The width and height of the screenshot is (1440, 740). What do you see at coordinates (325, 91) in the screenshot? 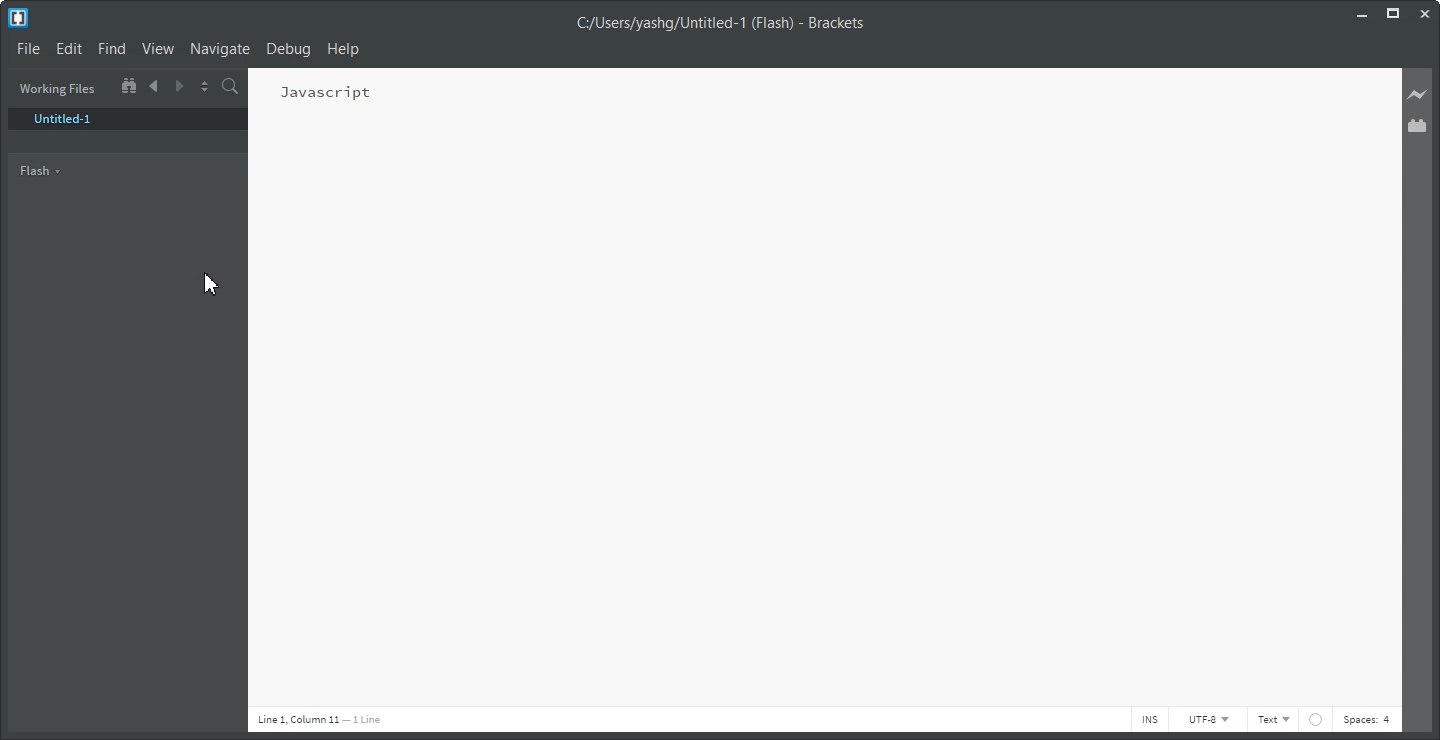
I see `javascript` at bounding box center [325, 91].